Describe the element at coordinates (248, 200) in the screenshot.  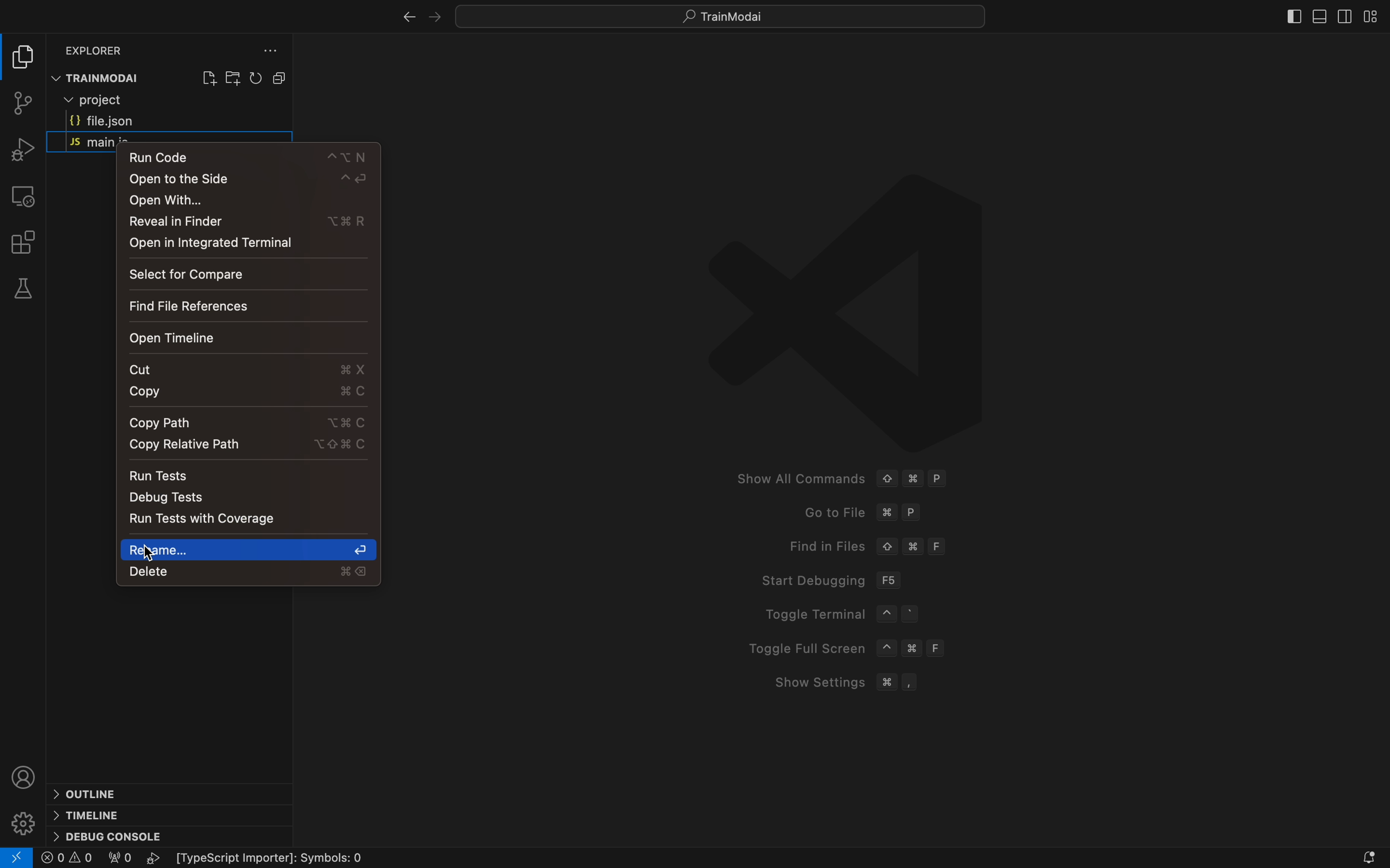
I see `open with` at that location.